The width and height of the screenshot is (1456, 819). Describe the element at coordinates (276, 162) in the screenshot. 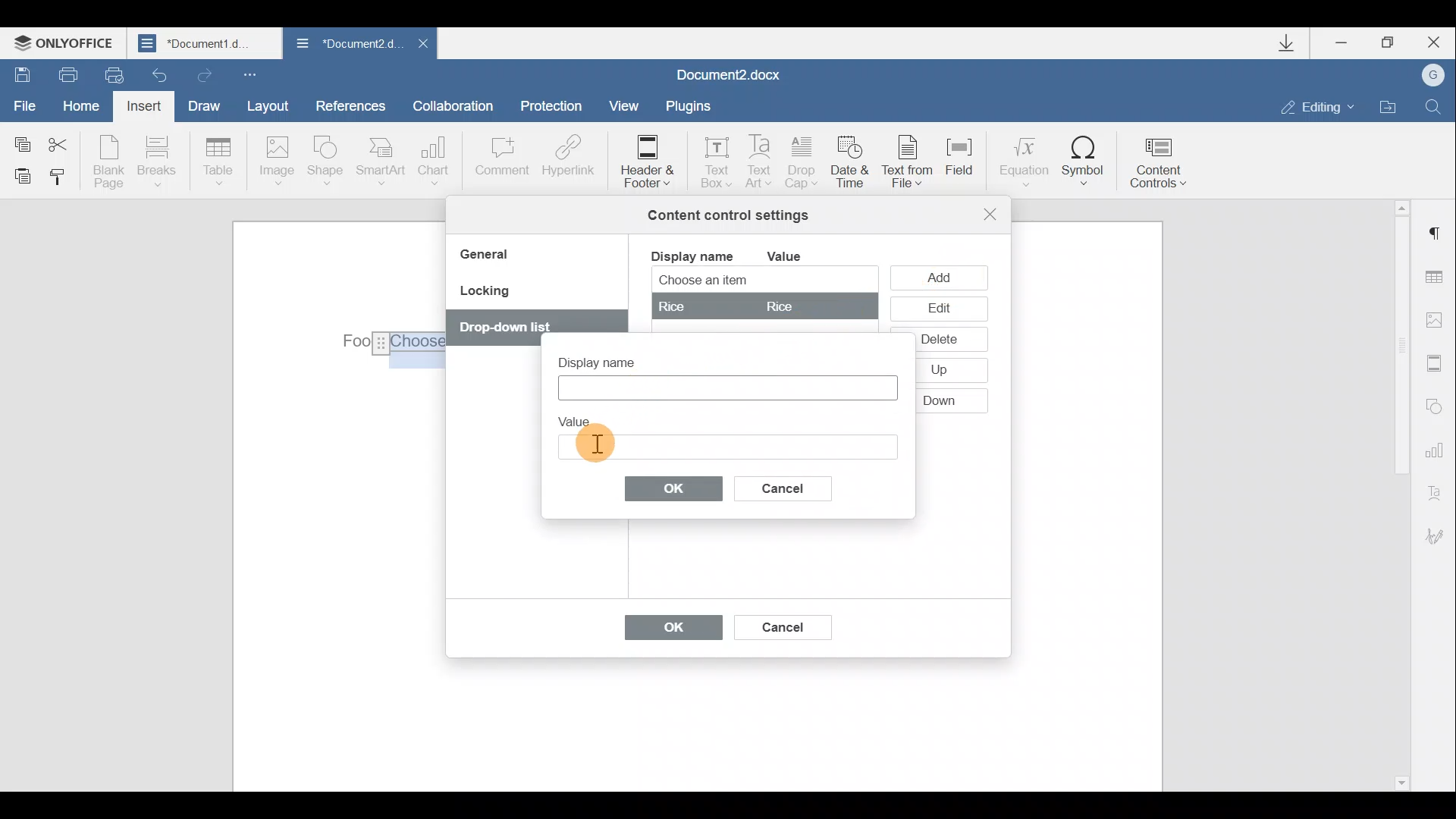

I see `Image` at that location.